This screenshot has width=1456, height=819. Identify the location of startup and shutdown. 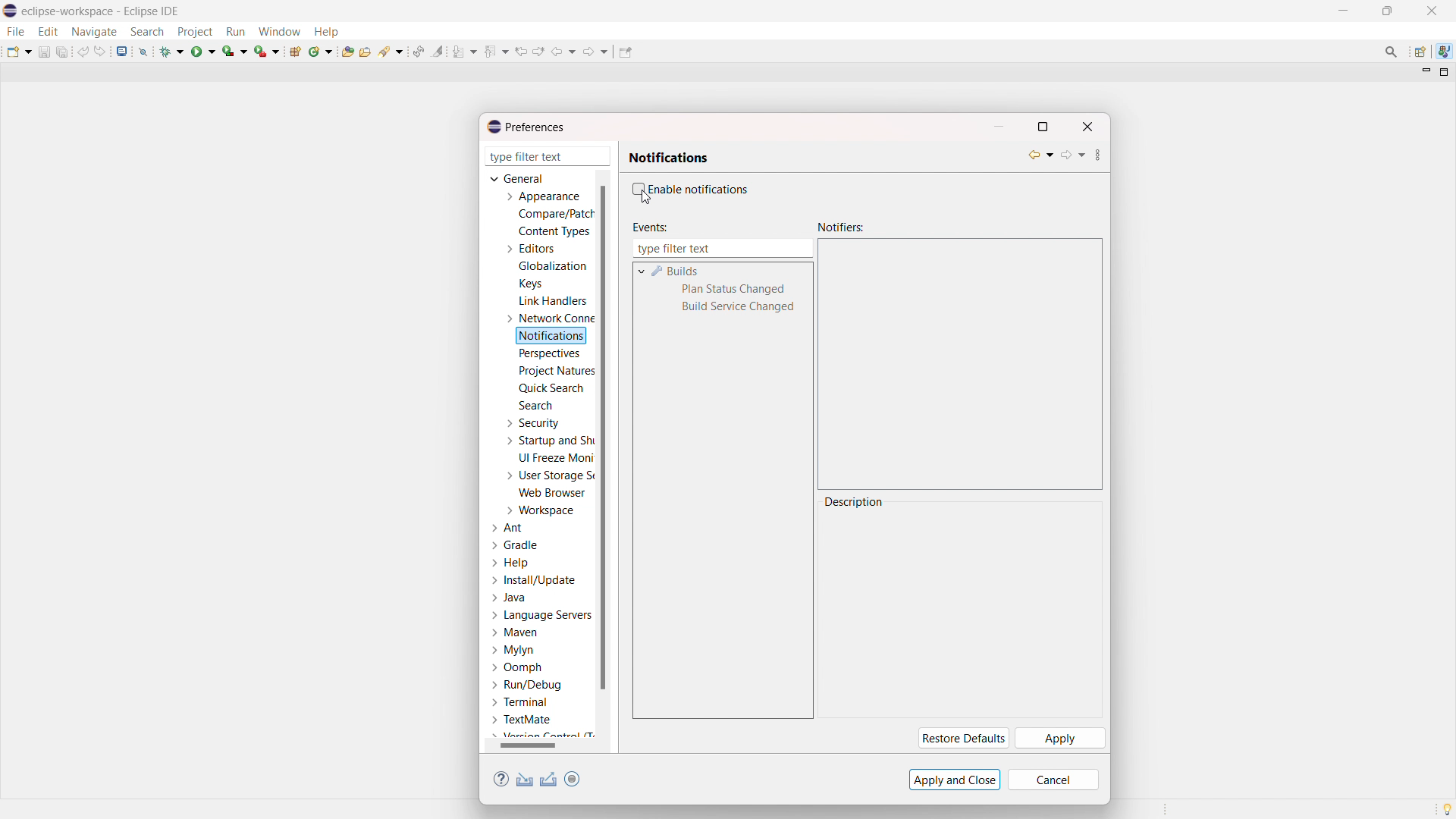
(548, 441).